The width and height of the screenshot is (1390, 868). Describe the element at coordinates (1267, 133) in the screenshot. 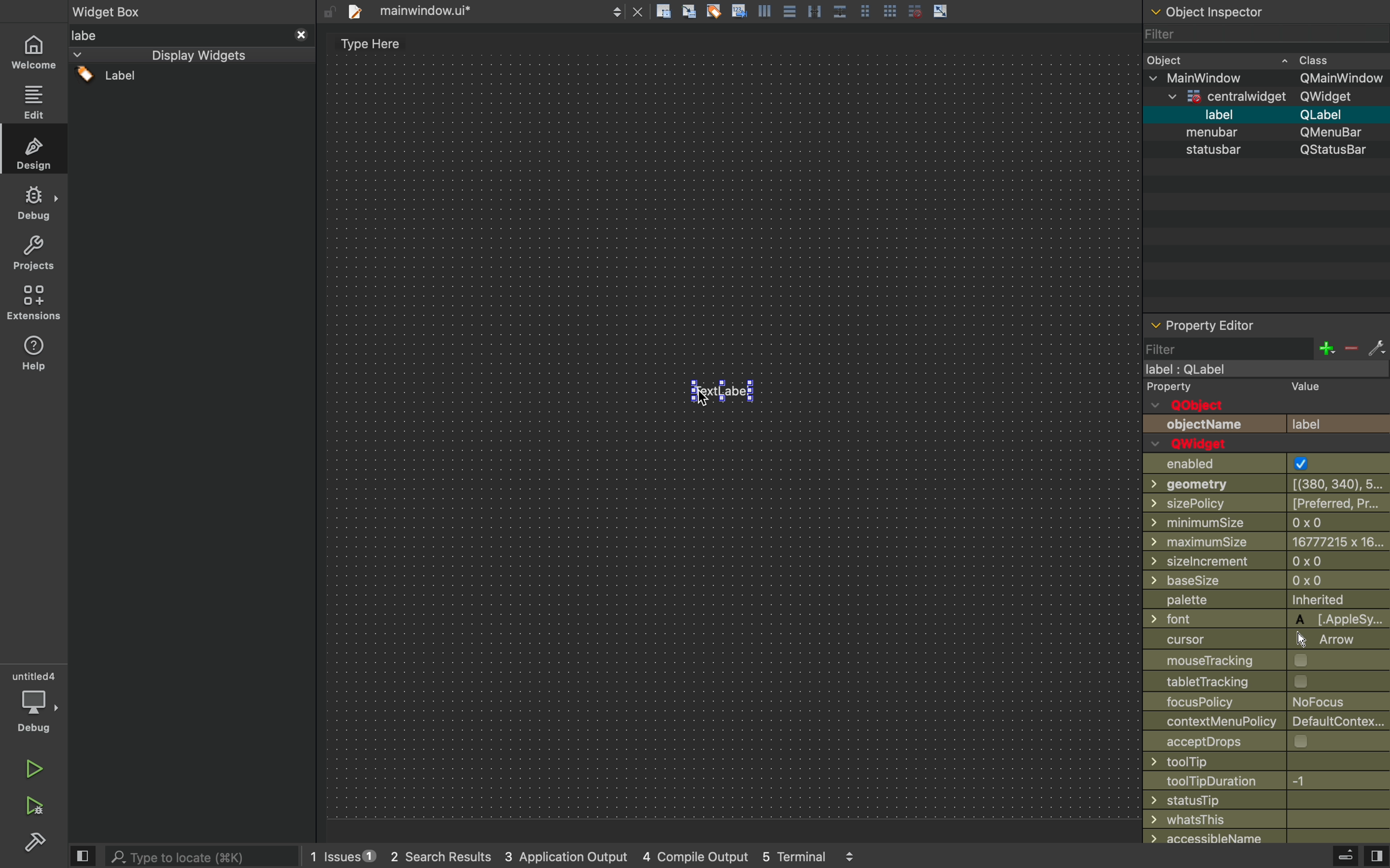

I see `status bar` at that location.